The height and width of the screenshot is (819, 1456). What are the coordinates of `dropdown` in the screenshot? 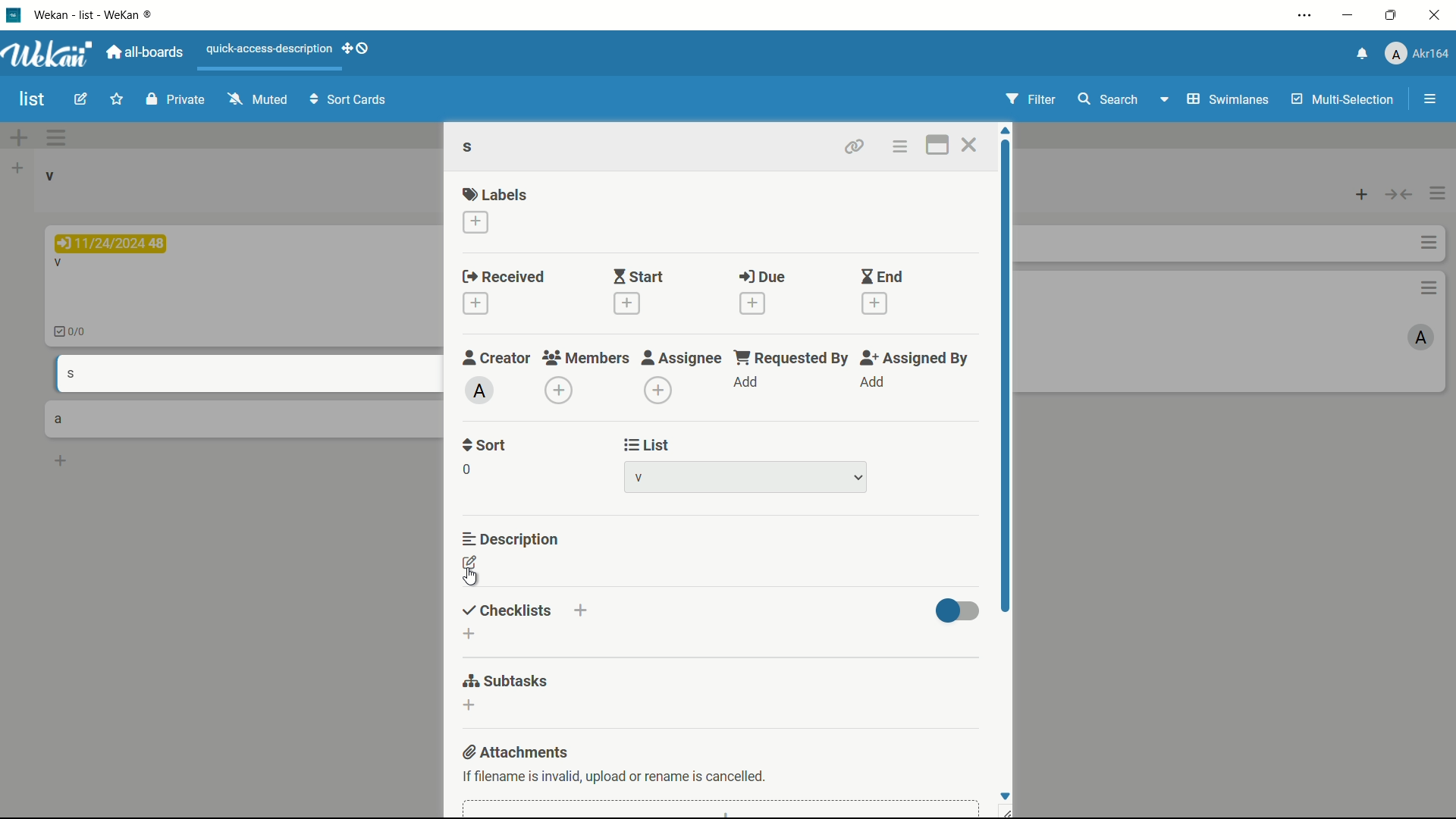 It's located at (858, 477).